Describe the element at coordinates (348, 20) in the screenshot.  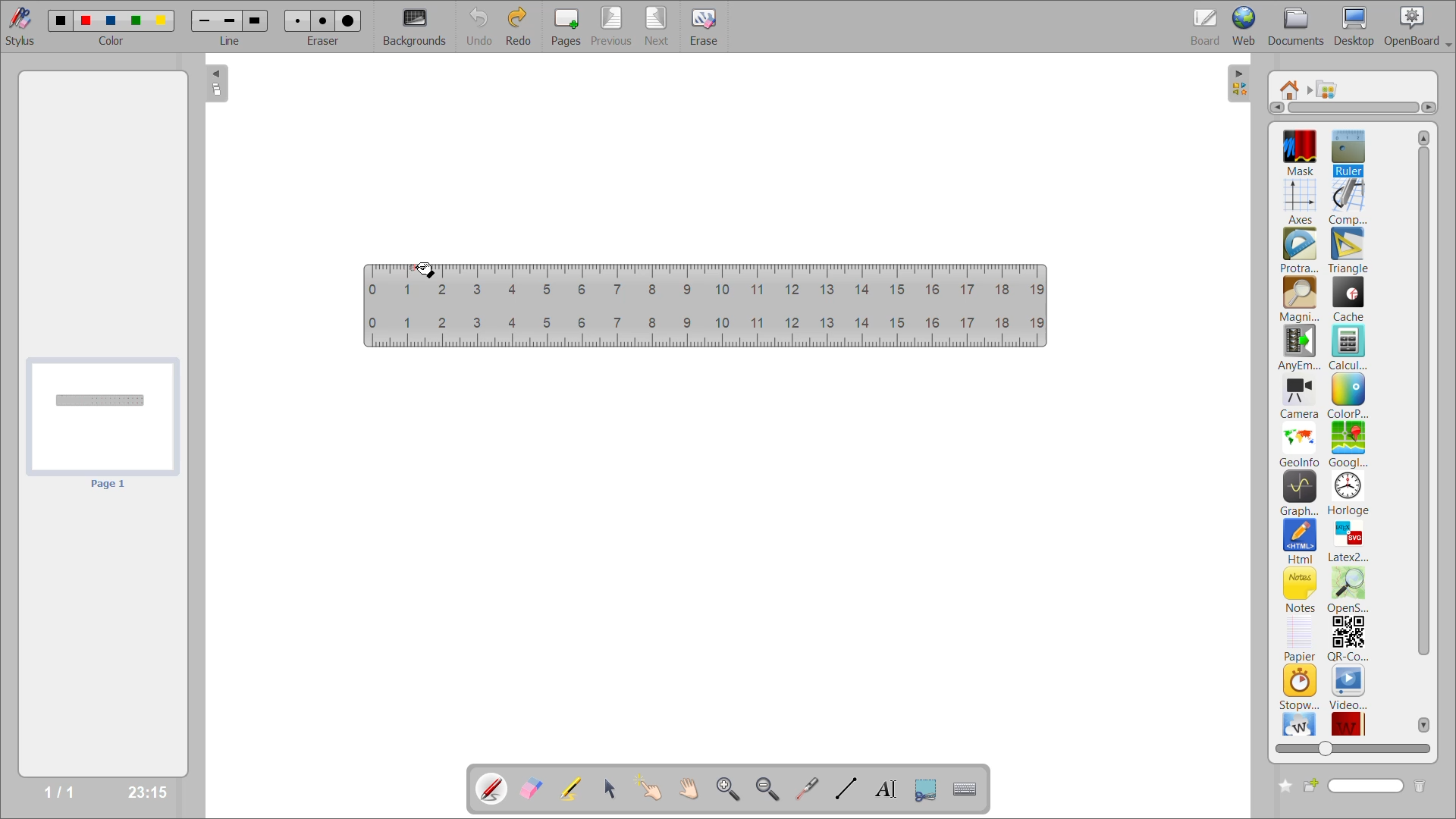
I see `eraser 3` at that location.